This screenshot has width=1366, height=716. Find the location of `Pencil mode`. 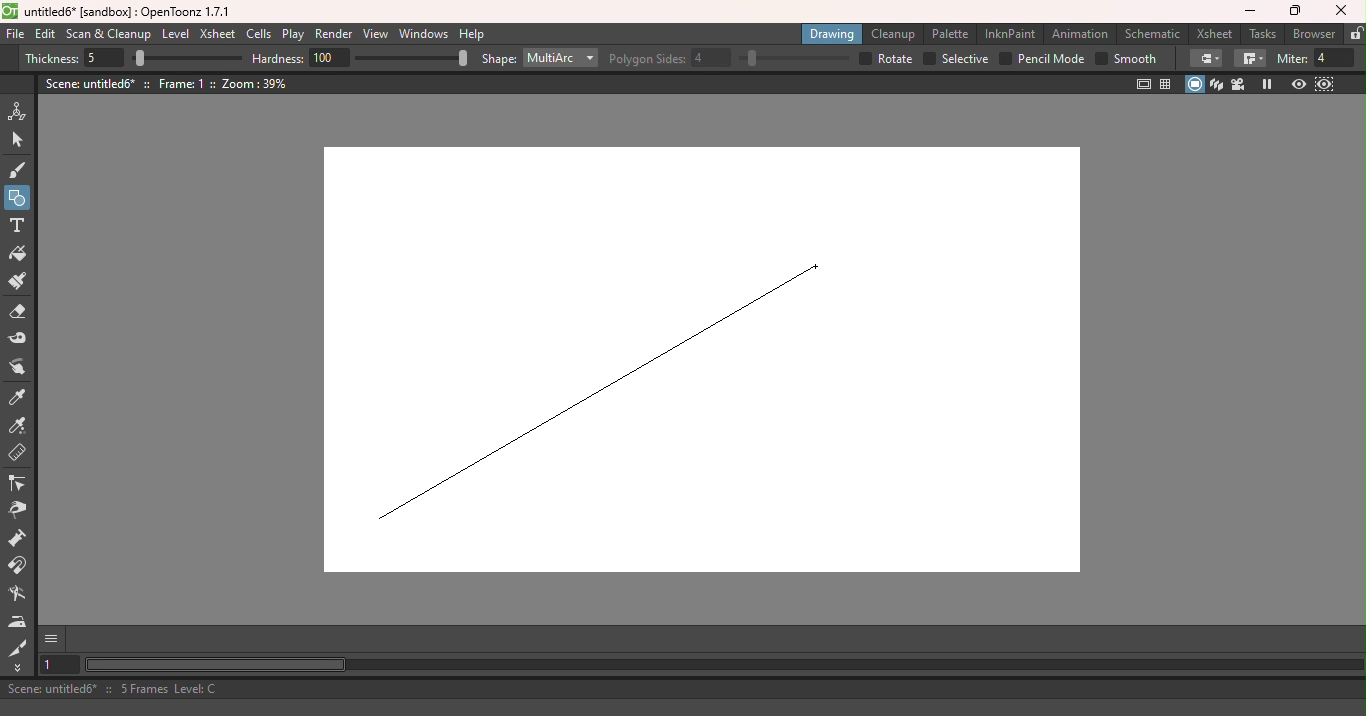

Pencil mode is located at coordinates (1041, 60).